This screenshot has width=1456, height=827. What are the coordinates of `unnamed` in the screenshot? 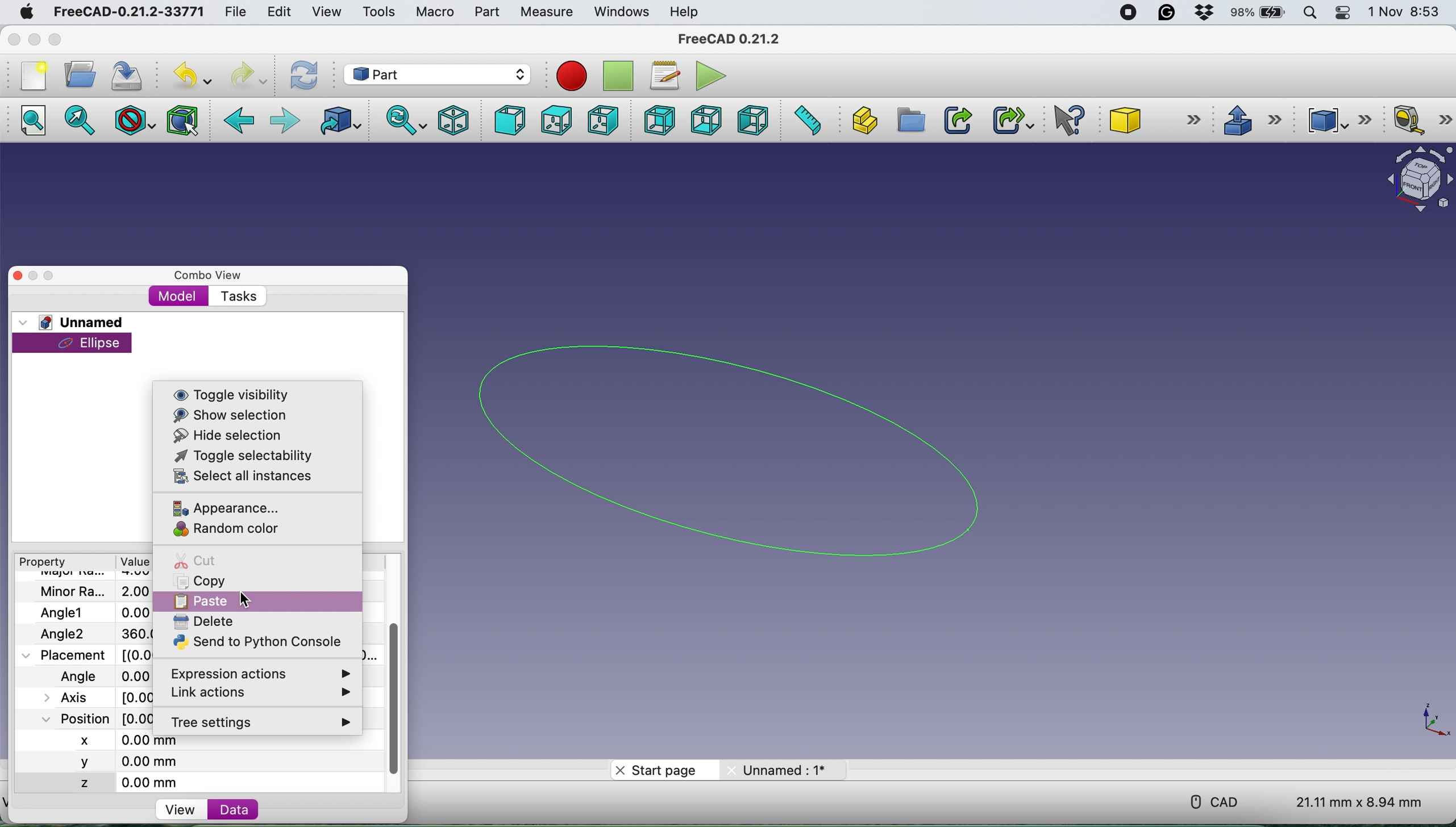 It's located at (77, 322).